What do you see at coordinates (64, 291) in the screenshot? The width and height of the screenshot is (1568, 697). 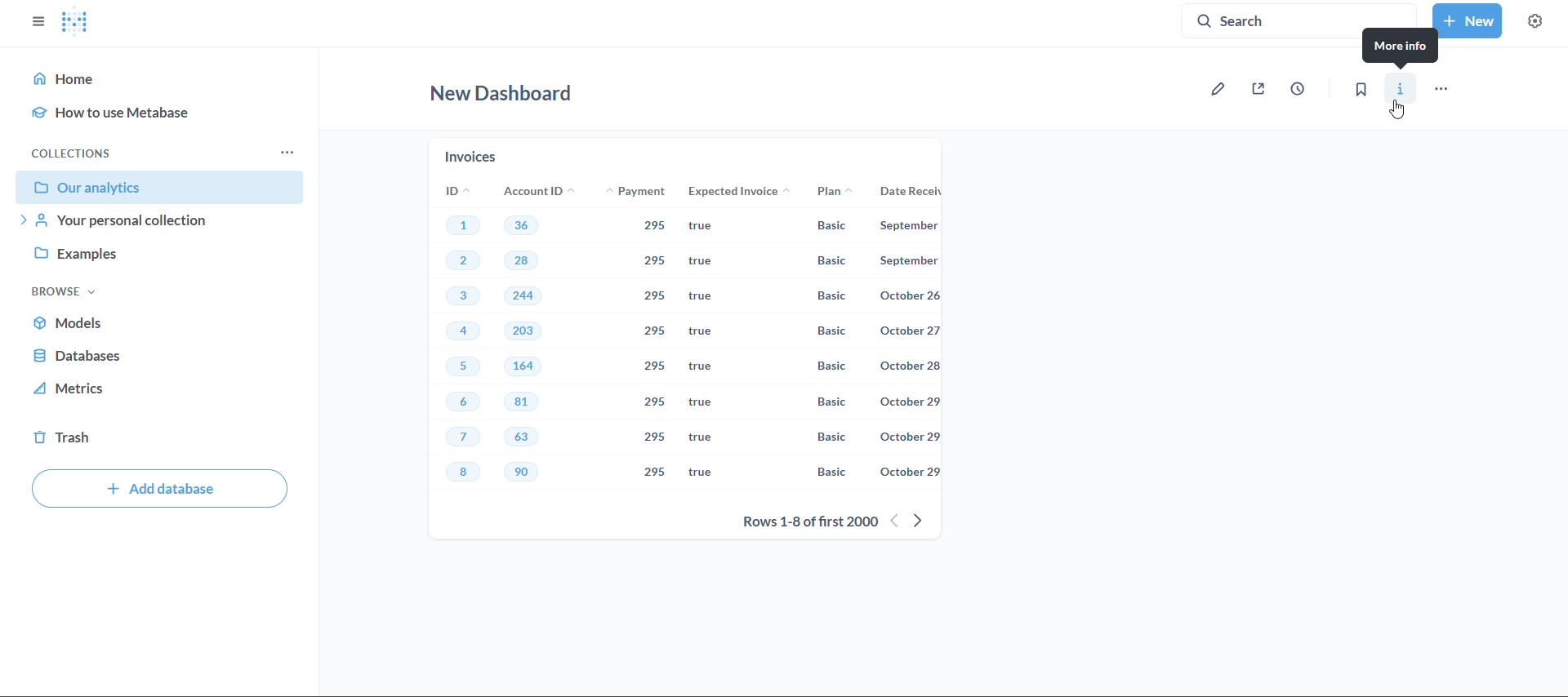 I see `browse` at bounding box center [64, 291].